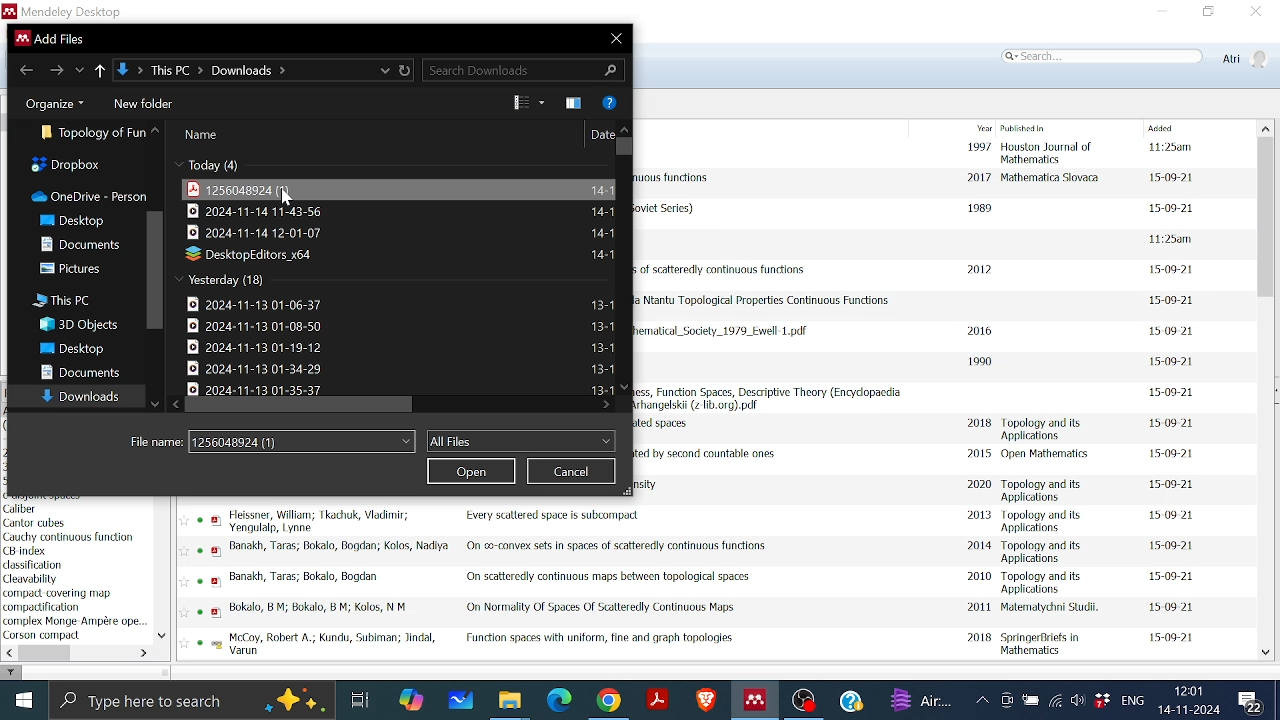 The height and width of the screenshot is (720, 1280). What do you see at coordinates (559, 700) in the screenshot?
I see `Microsoft edge` at bounding box center [559, 700].